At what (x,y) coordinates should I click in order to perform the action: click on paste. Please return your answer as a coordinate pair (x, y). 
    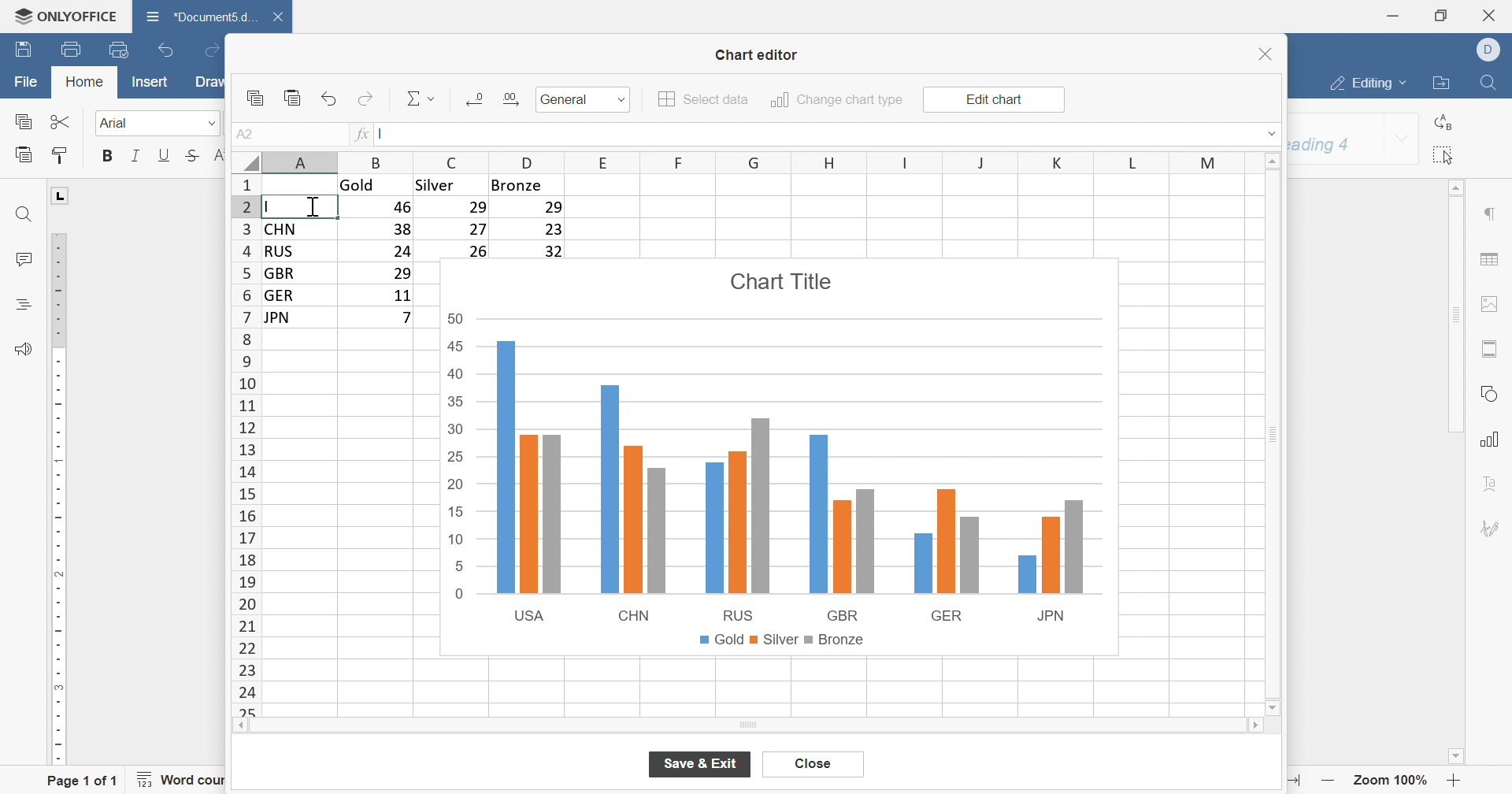
    Looking at the image, I should click on (23, 154).